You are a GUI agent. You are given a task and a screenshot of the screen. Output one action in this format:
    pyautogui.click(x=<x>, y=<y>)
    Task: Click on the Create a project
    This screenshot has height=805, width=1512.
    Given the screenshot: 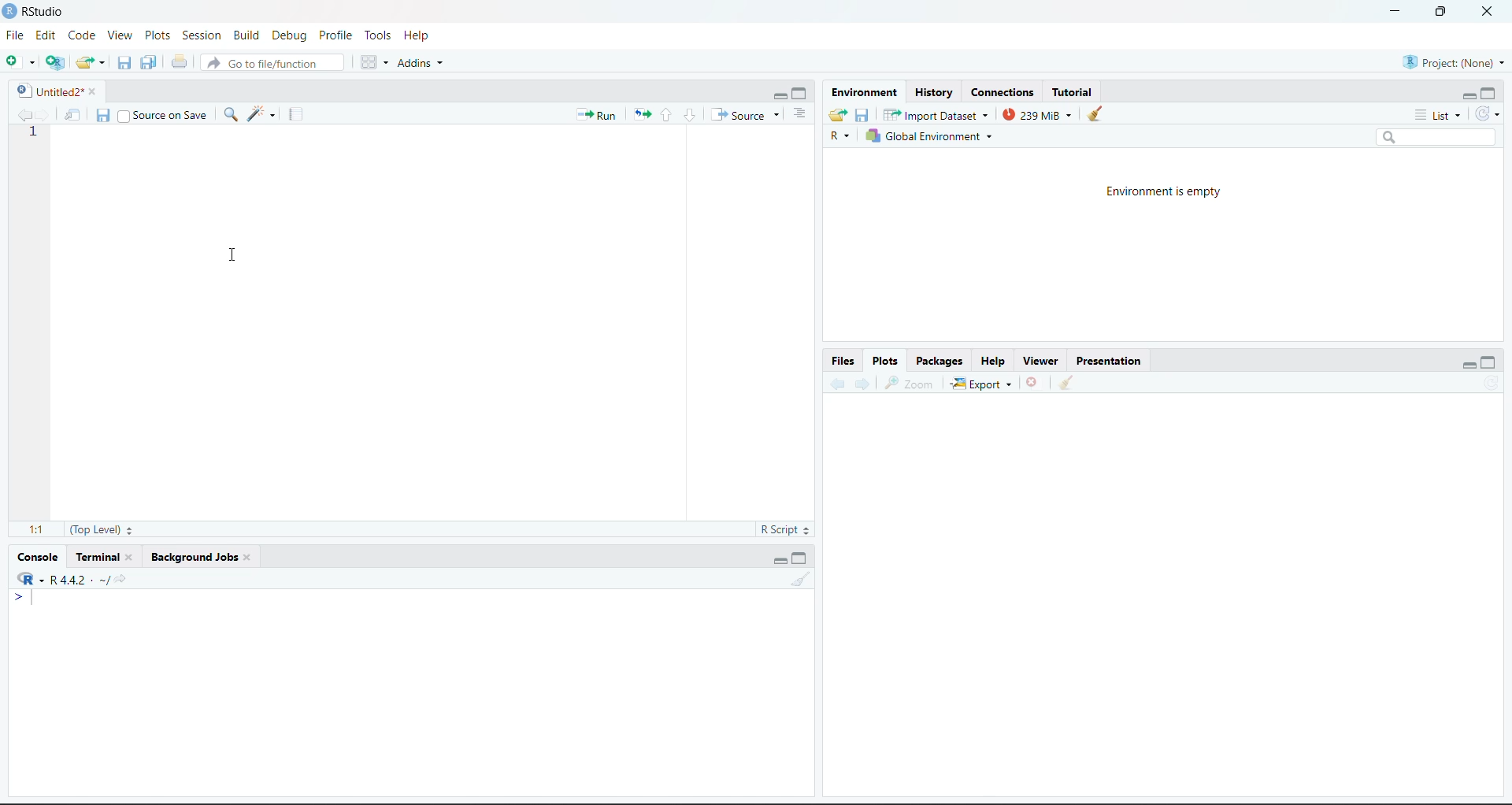 What is the action you would take?
    pyautogui.click(x=56, y=61)
    